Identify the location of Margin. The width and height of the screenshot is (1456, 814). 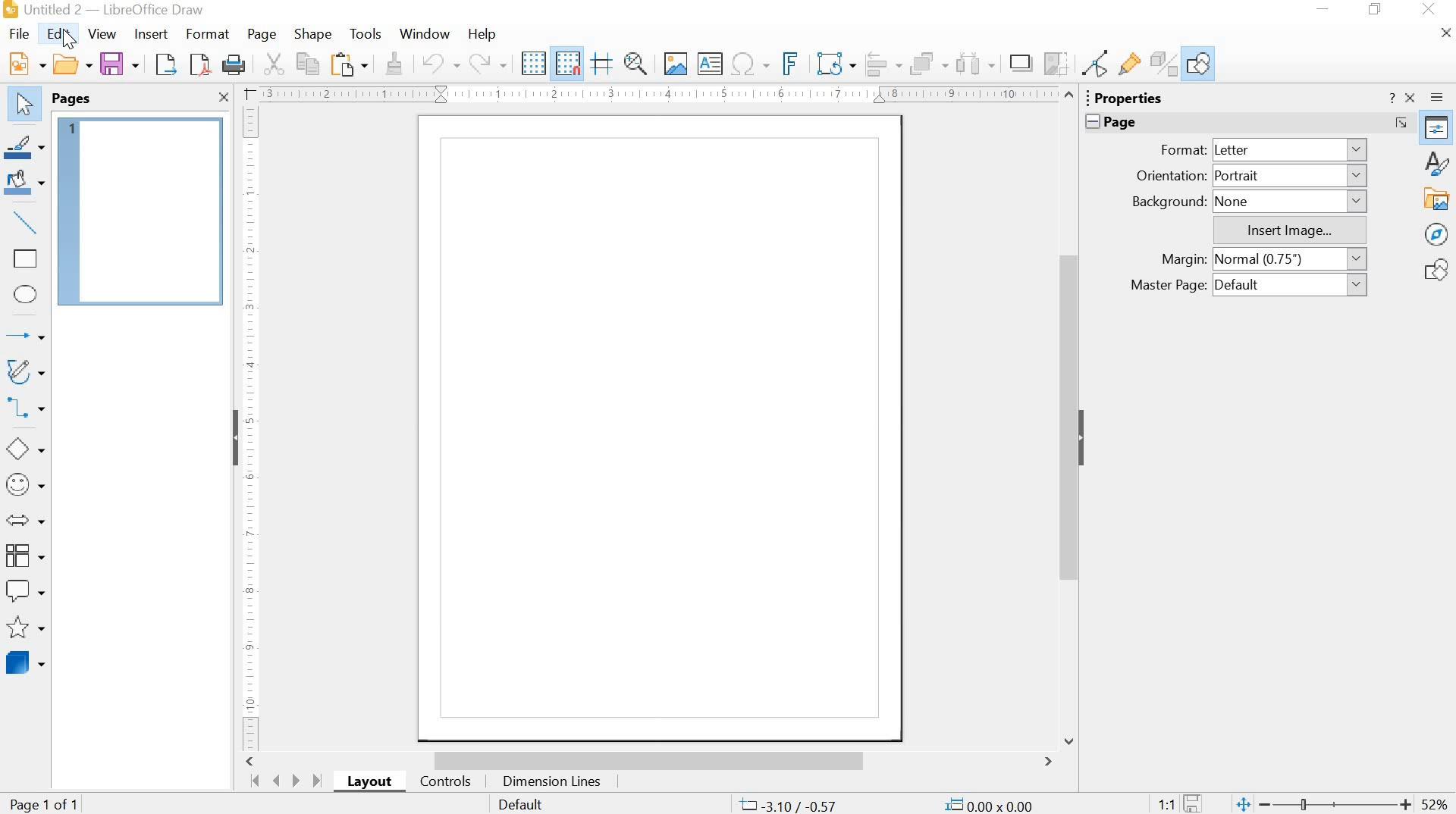
(1184, 258).